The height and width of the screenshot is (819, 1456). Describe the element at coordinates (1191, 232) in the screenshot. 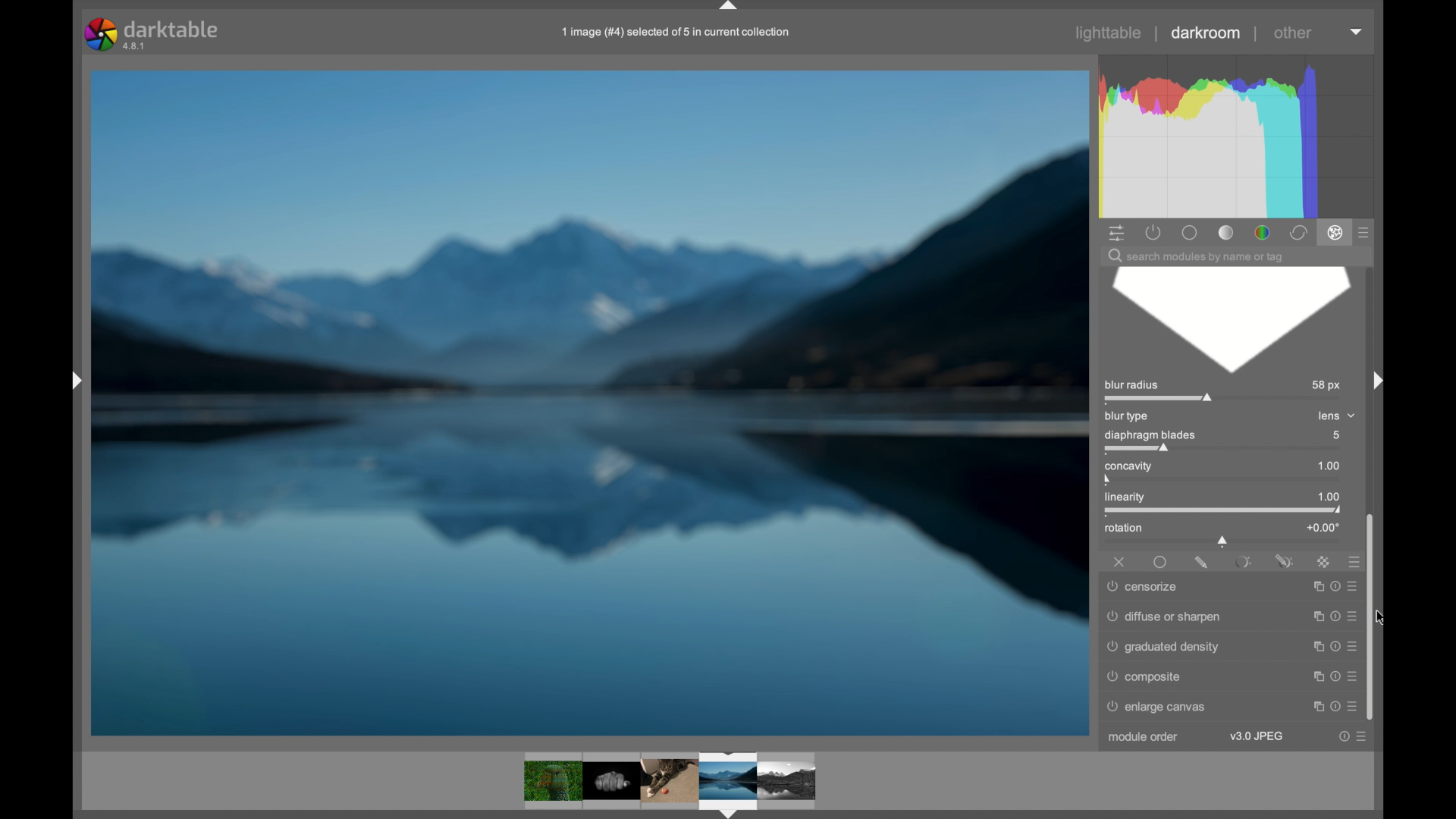

I see `base` at that location.